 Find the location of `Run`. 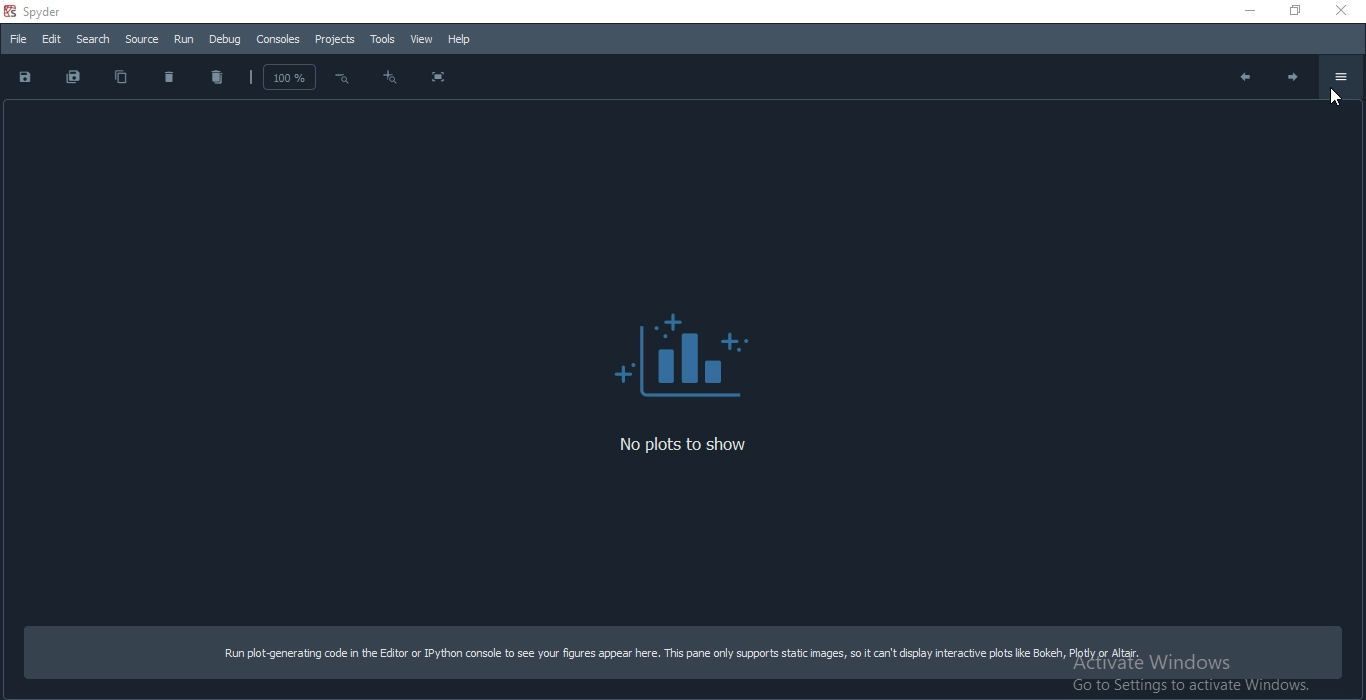

Run is located at coordinates (183, 40).